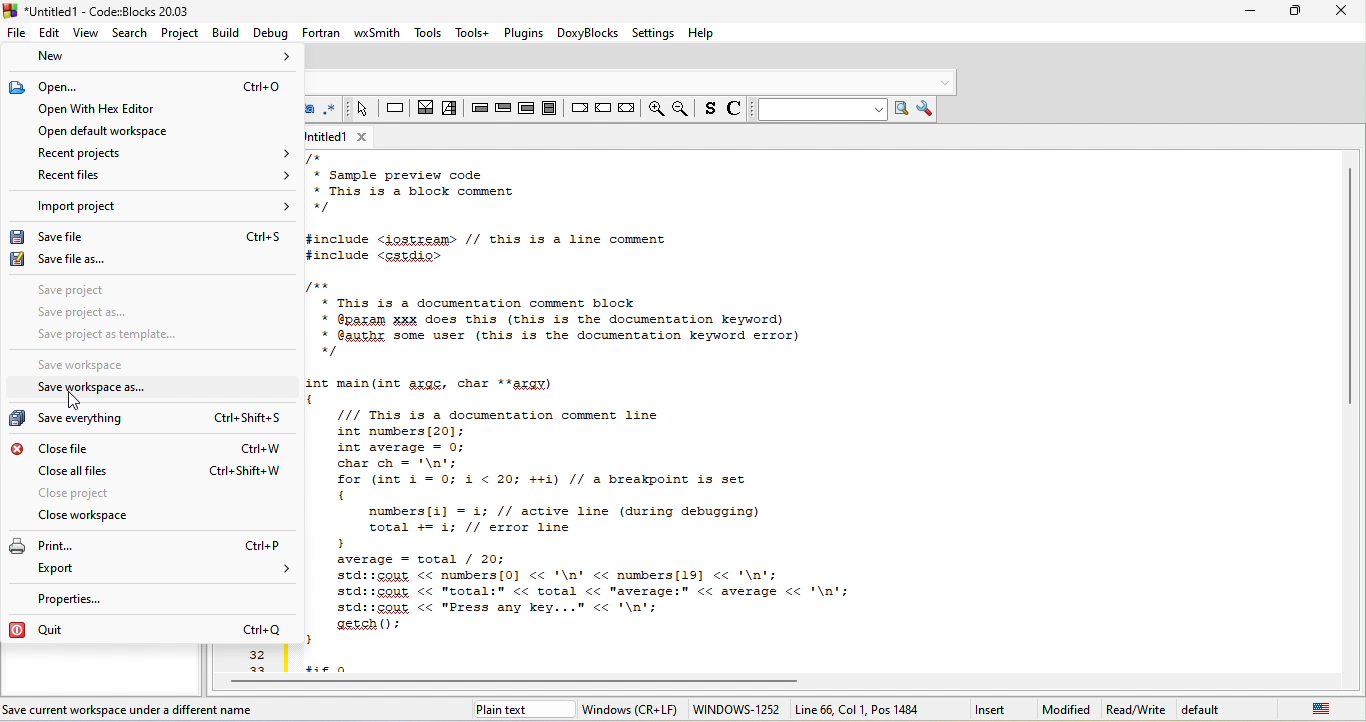  What do you see at coordinates (164, 153) in the screenshot?
I see `recent projects` at bounding box center [164, 153].